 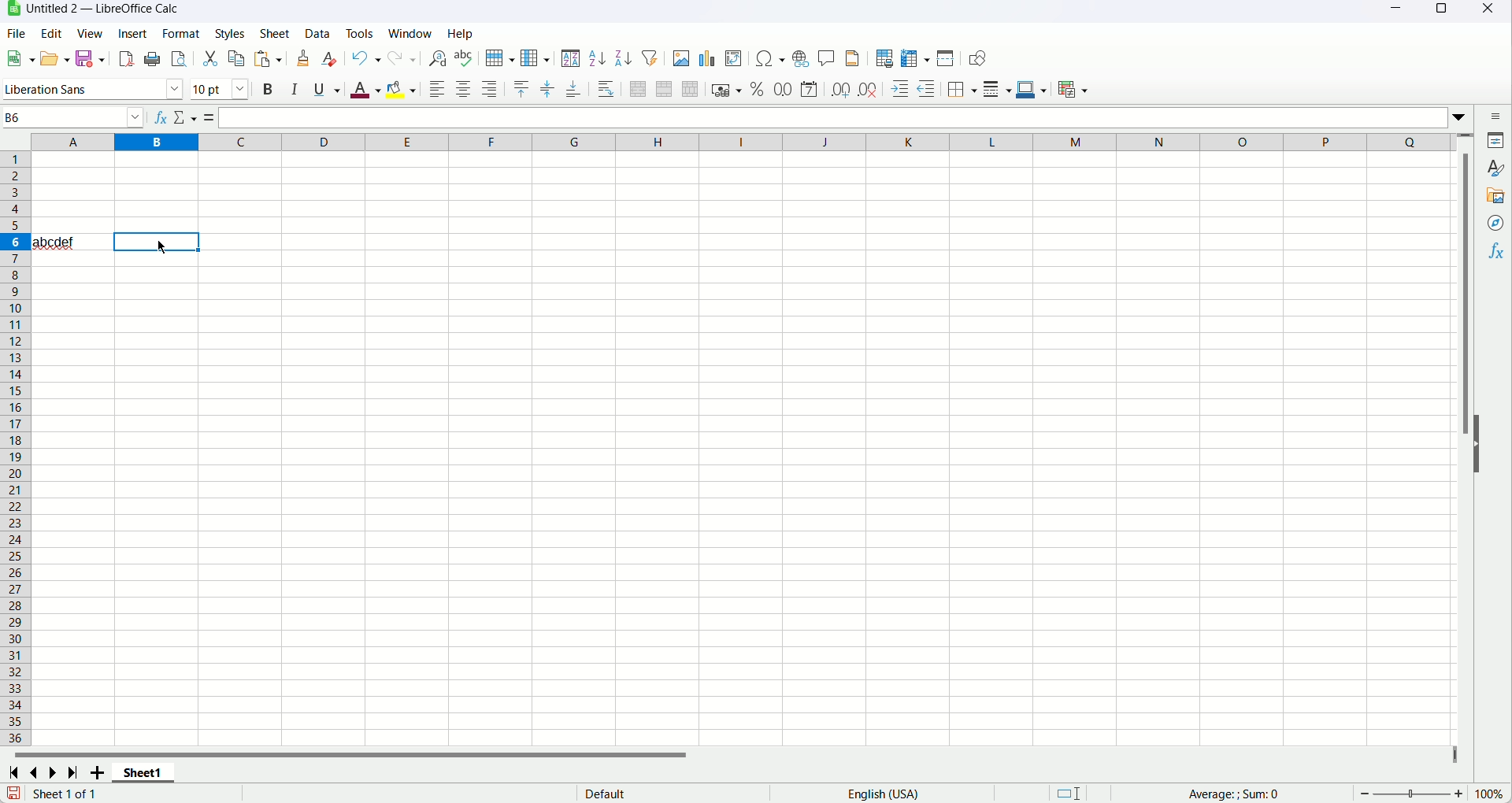 I want to click on split window, so click(x=947, y=57).